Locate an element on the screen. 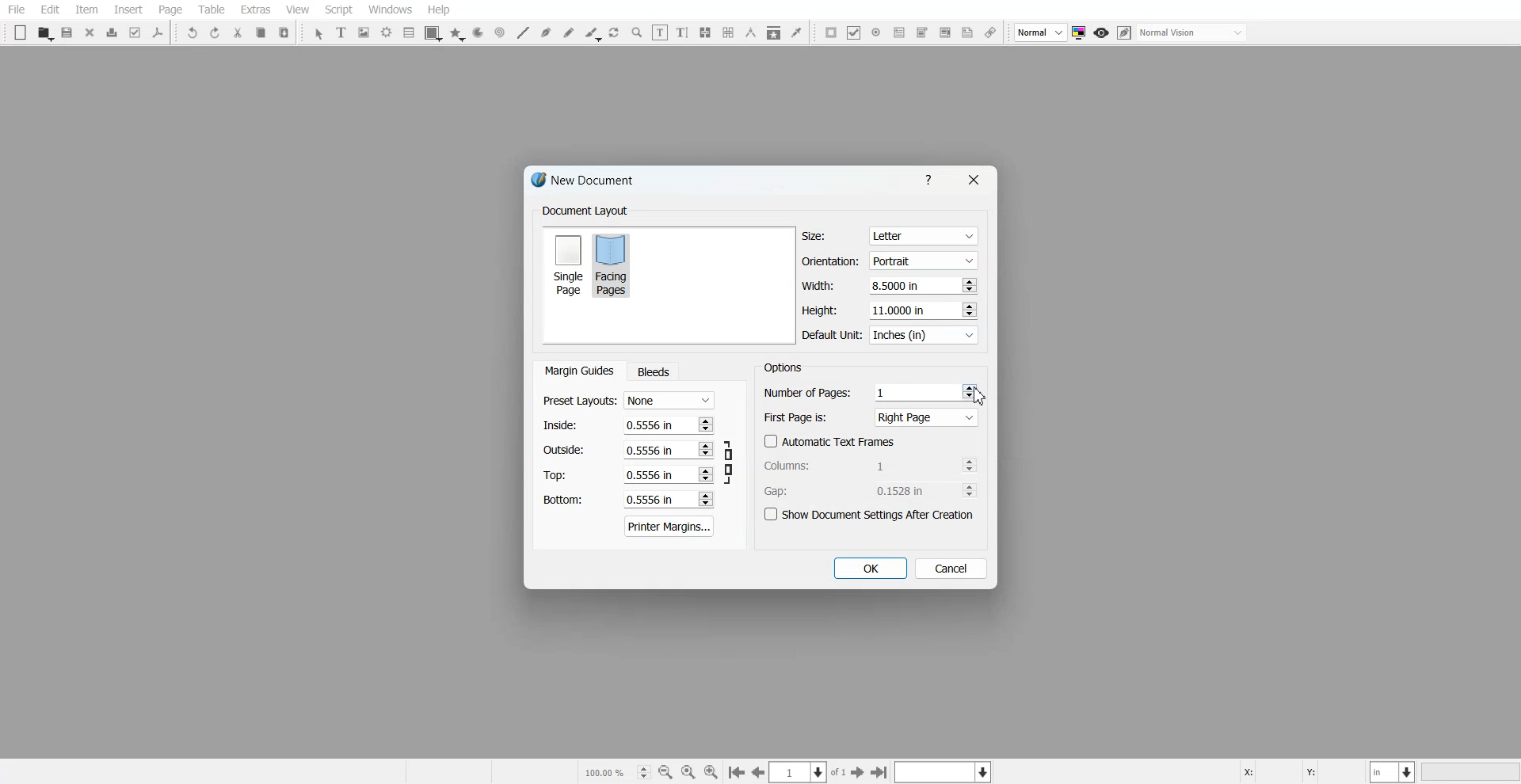 This screenshot has height=784, width=1521. Unlink Text Frame is located at coordinates (729, 32).